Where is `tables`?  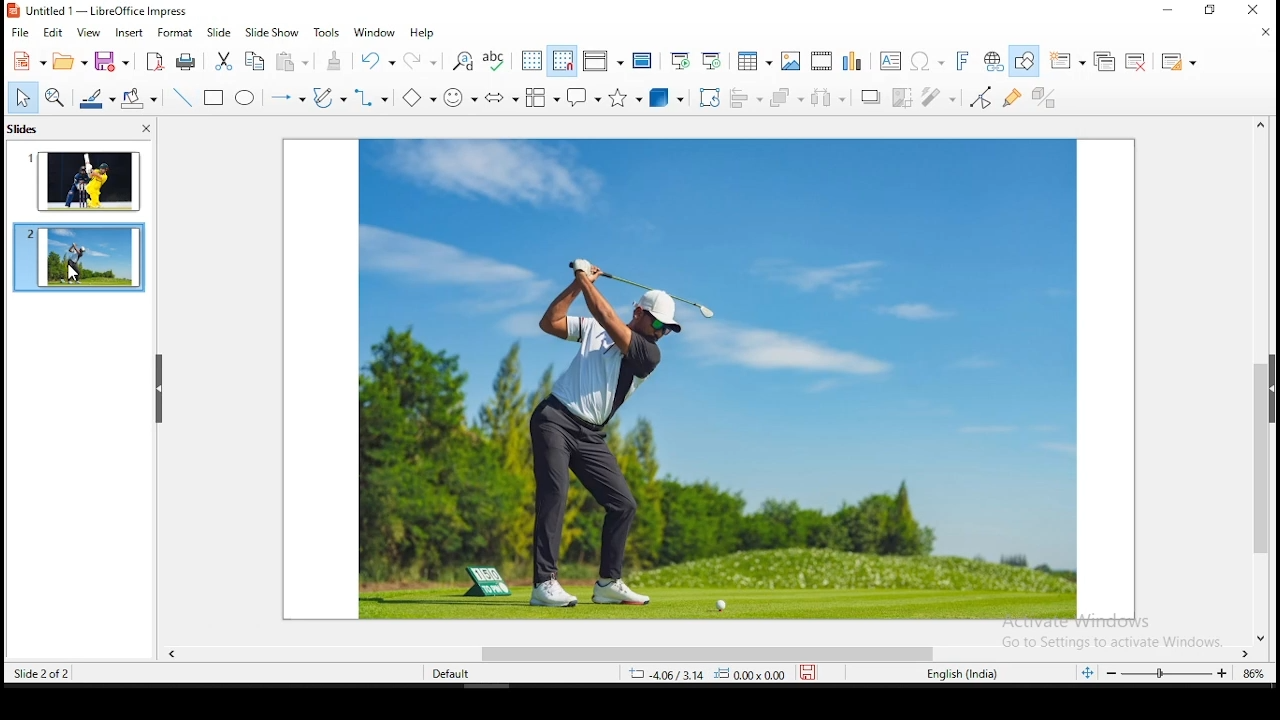
tables is located at coordinates (752, 59).